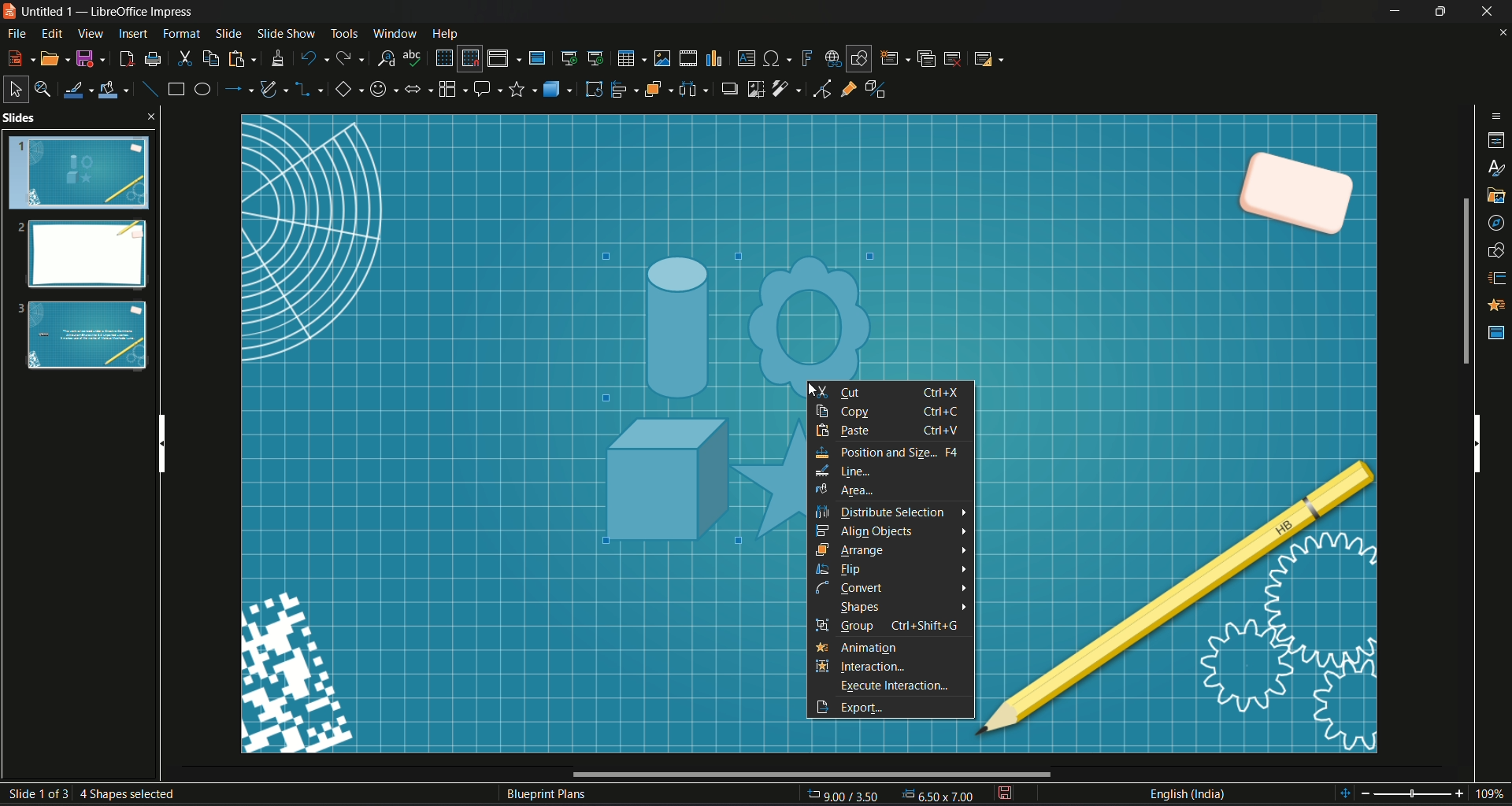 The image size is (1512, 806). Describe the element at coordinates (892, 431) in the screenshot. I see `paste` at that location.